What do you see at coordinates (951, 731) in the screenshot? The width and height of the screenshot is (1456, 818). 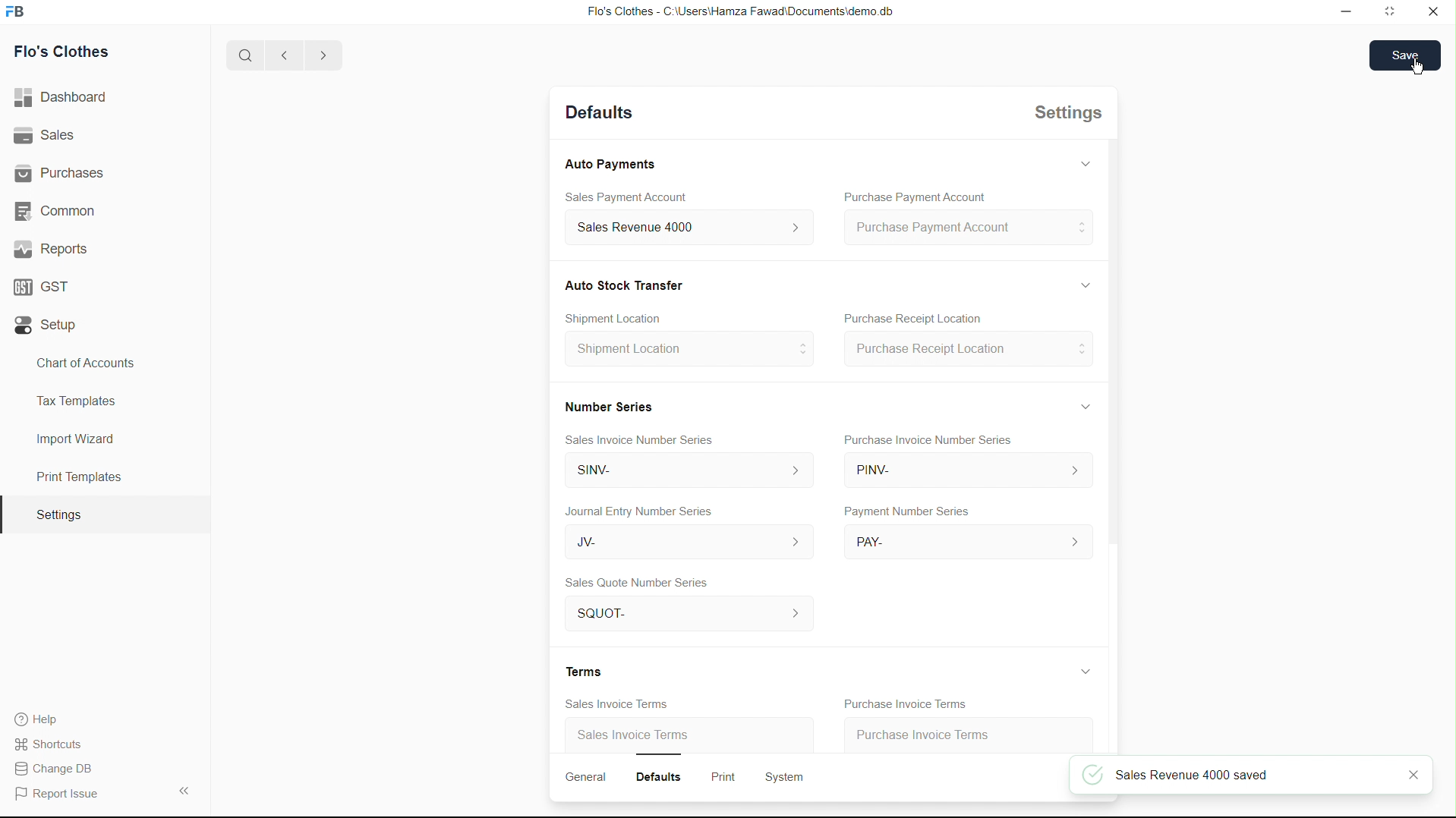 I see `Purchase Invoice Terms` at bounding box center [951, 731].